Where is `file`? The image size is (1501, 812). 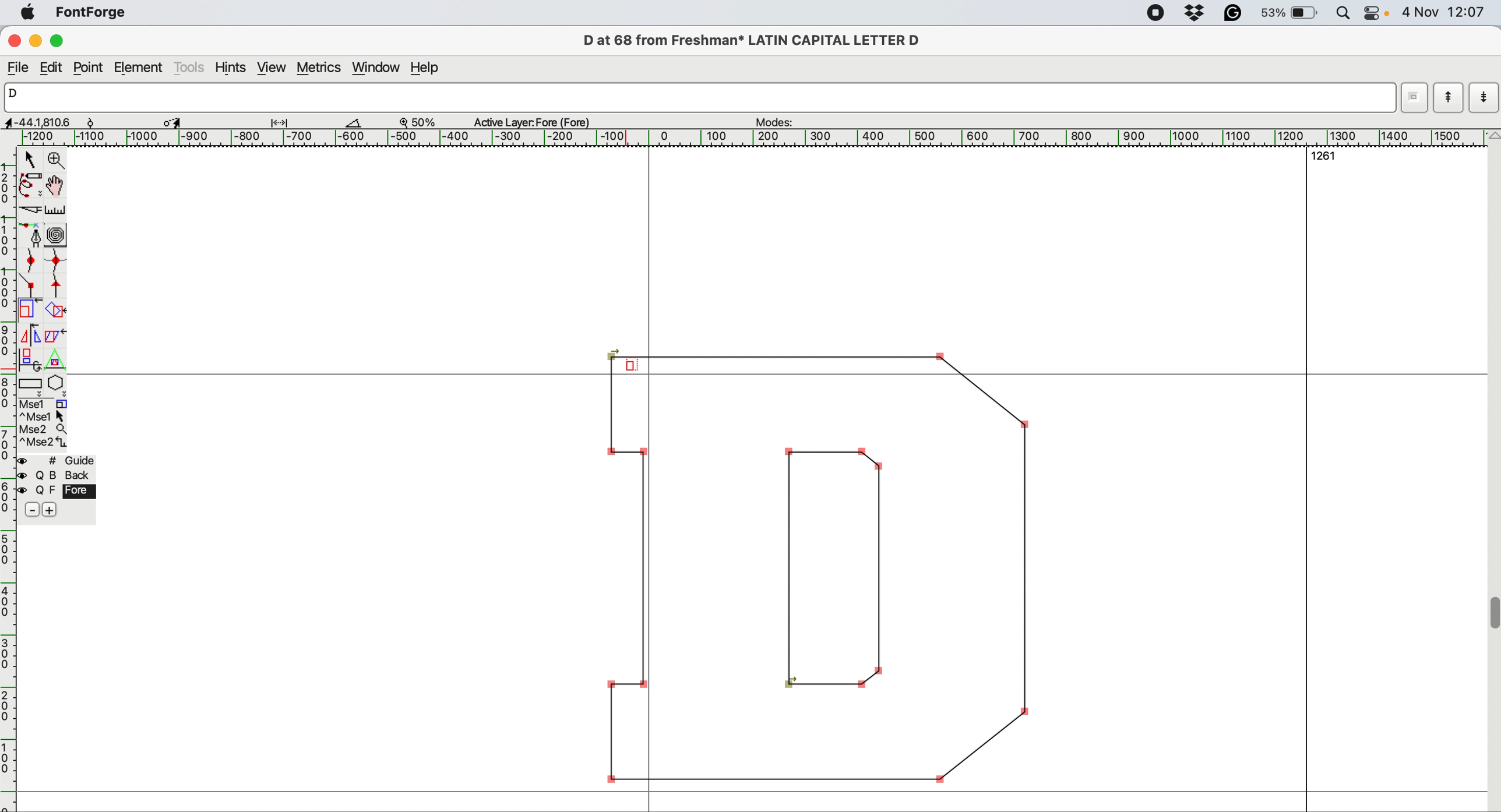 file is located at coordinates (19, 68).